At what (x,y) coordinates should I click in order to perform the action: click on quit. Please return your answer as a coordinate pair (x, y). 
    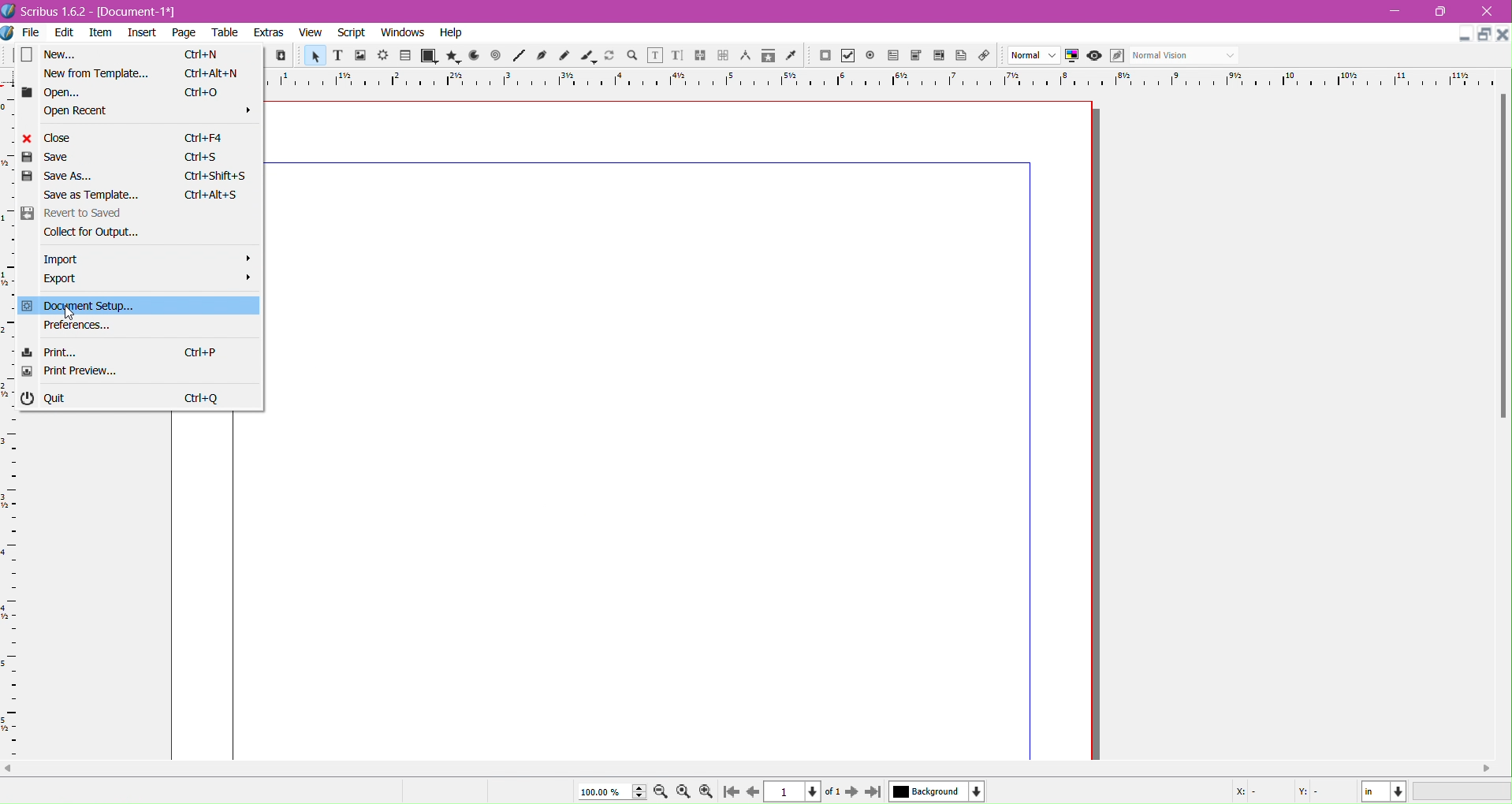
    Looking at the image, I should click on (42, 398).